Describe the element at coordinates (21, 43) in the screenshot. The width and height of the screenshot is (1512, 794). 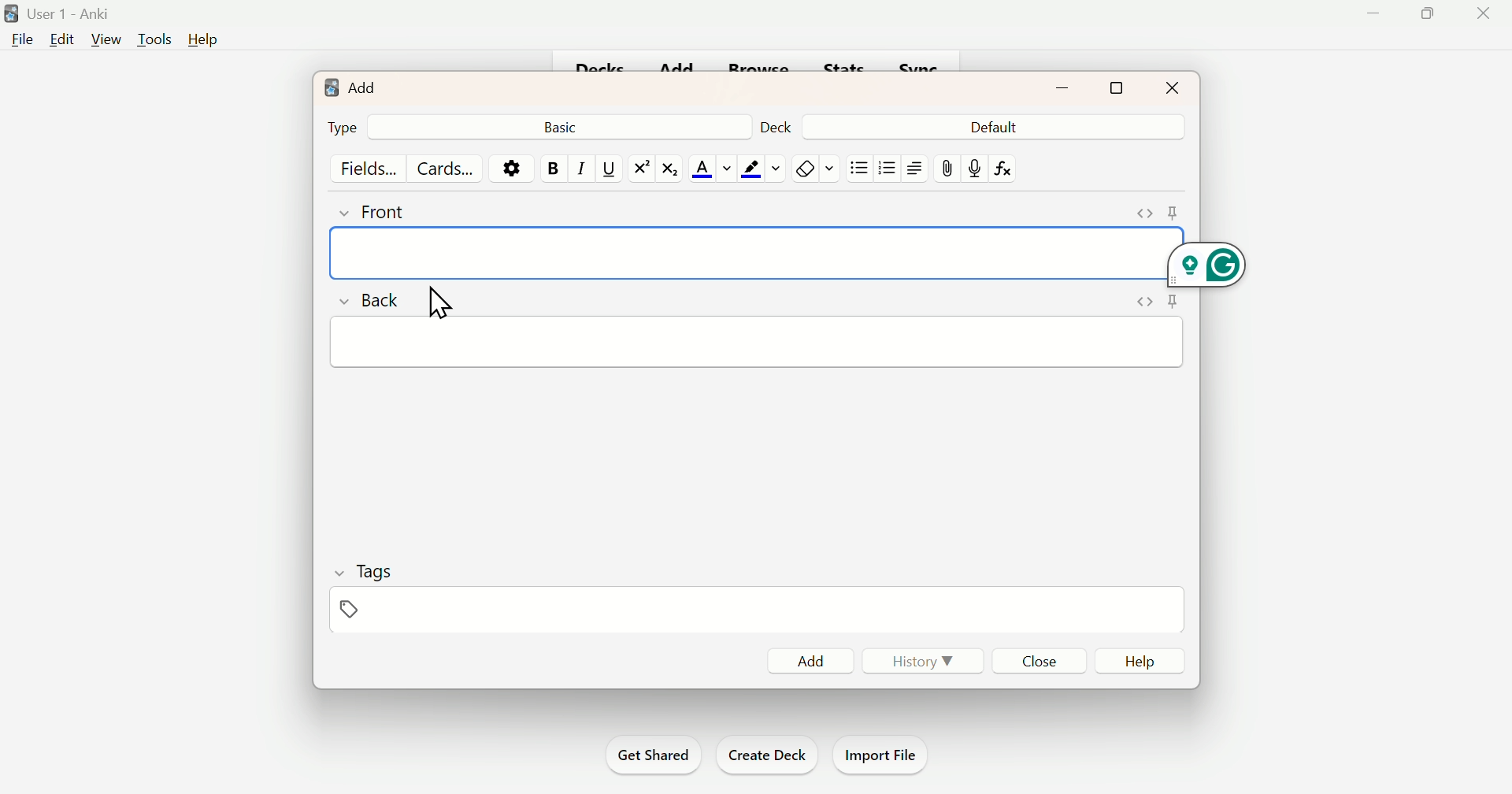
I see `File` at that location.